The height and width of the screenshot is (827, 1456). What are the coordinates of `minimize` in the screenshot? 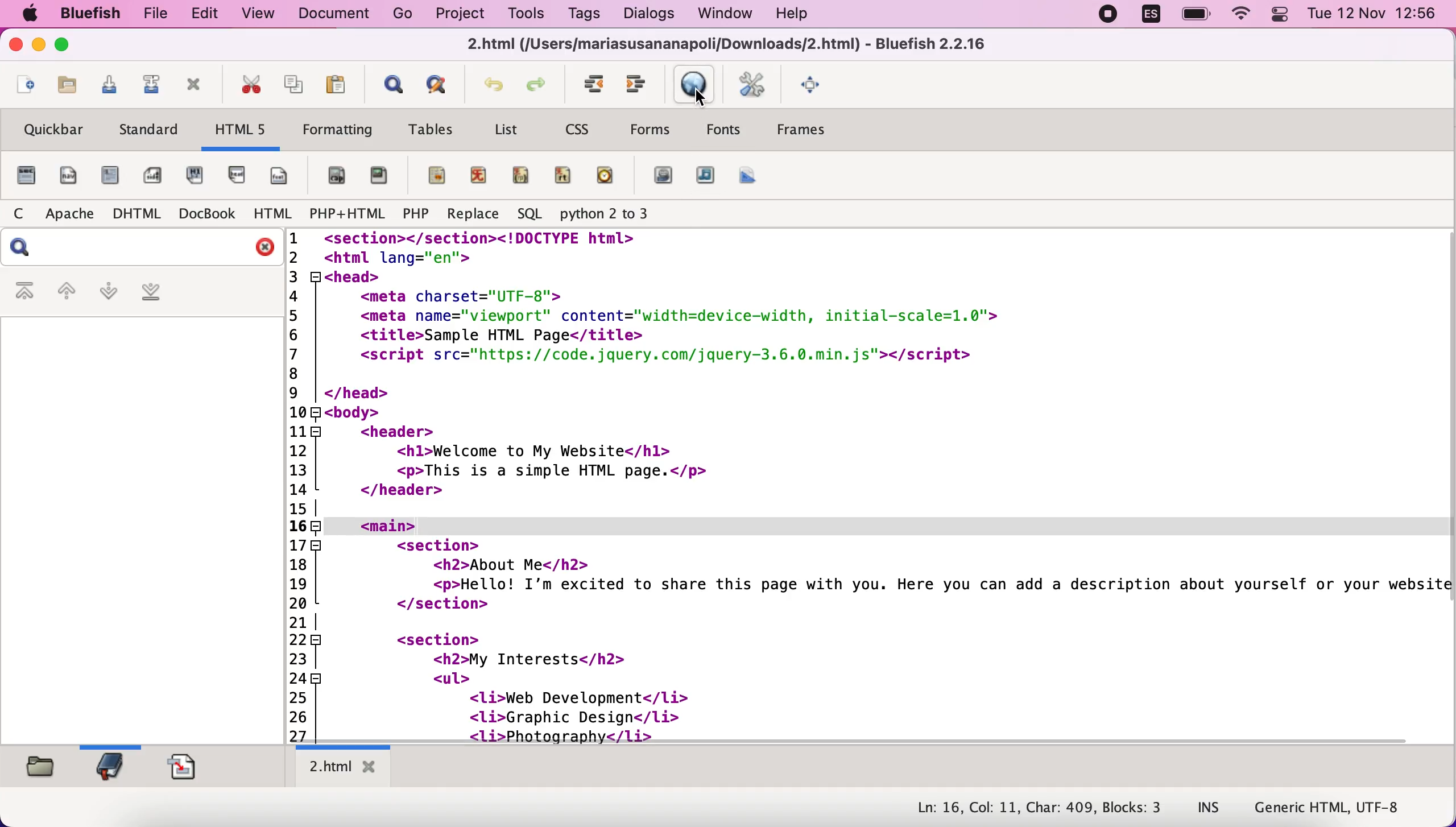 It's located at (39, 46).